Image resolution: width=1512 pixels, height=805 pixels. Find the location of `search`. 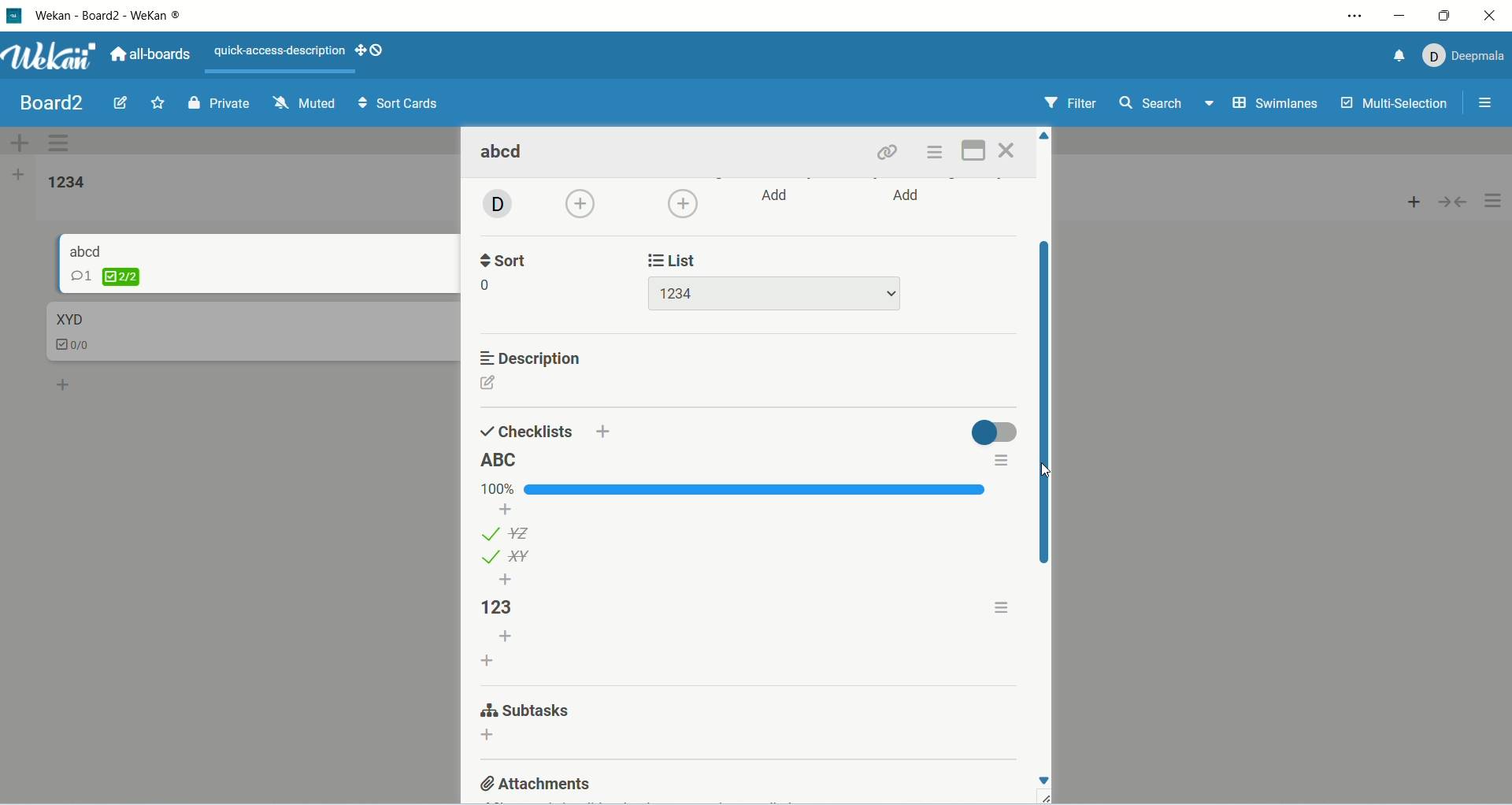

search is located at coordinates (1169, 105).